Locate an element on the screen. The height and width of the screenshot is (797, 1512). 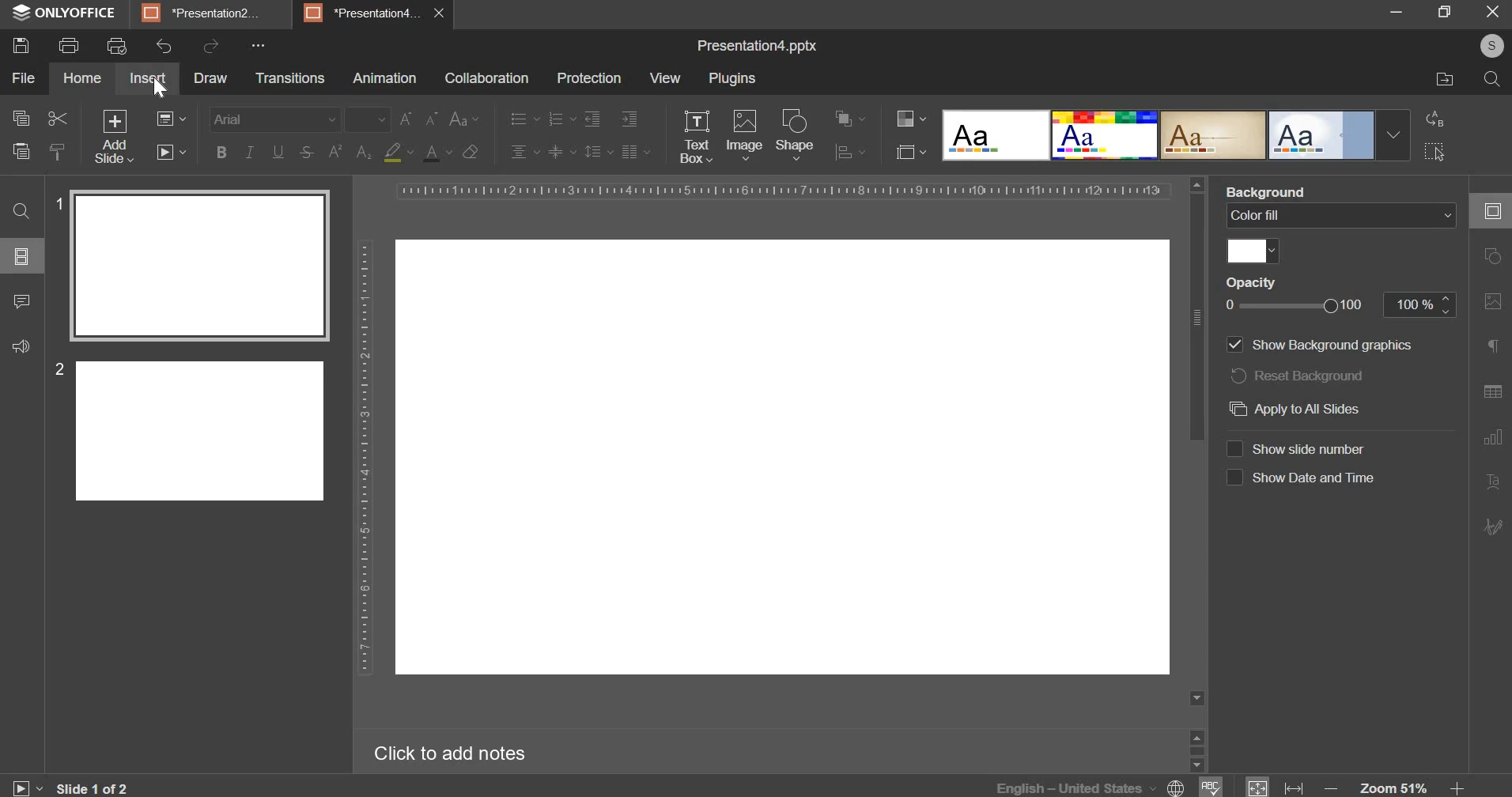
strikethrough is located at coordinates (304, 153).